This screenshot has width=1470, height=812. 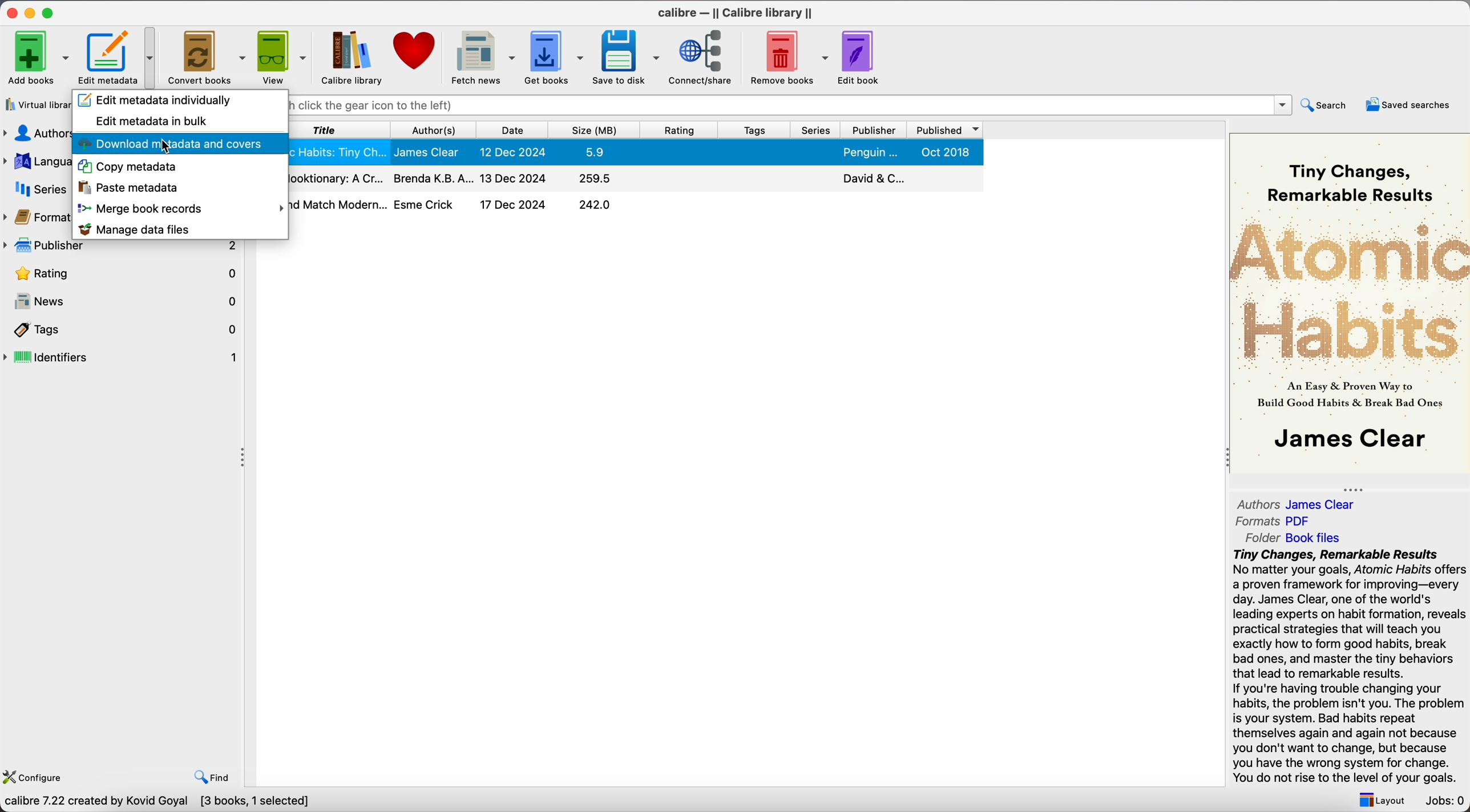 What do you see at coordinates (627, 58) in the screenshot?
I see `save to disk` at bounding box center [627, 58].